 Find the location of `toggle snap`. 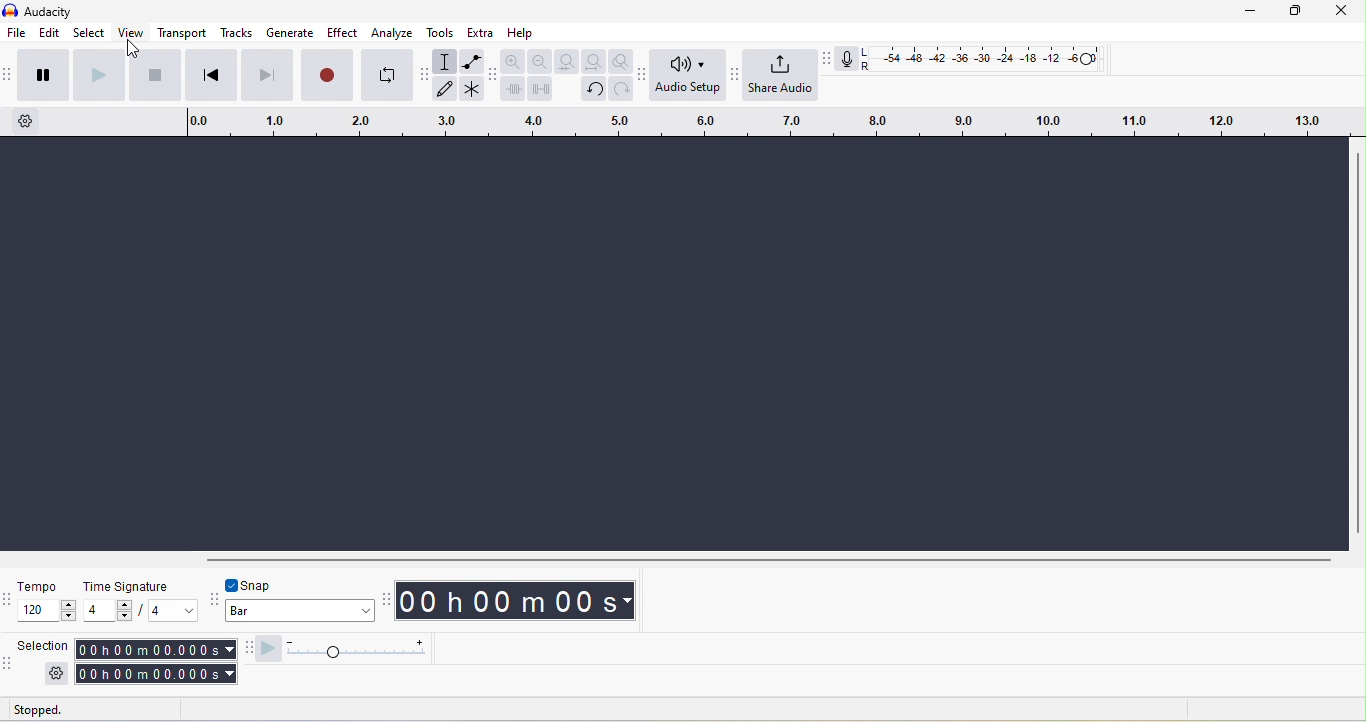

toggle snap is located at coordinates (250, 585).